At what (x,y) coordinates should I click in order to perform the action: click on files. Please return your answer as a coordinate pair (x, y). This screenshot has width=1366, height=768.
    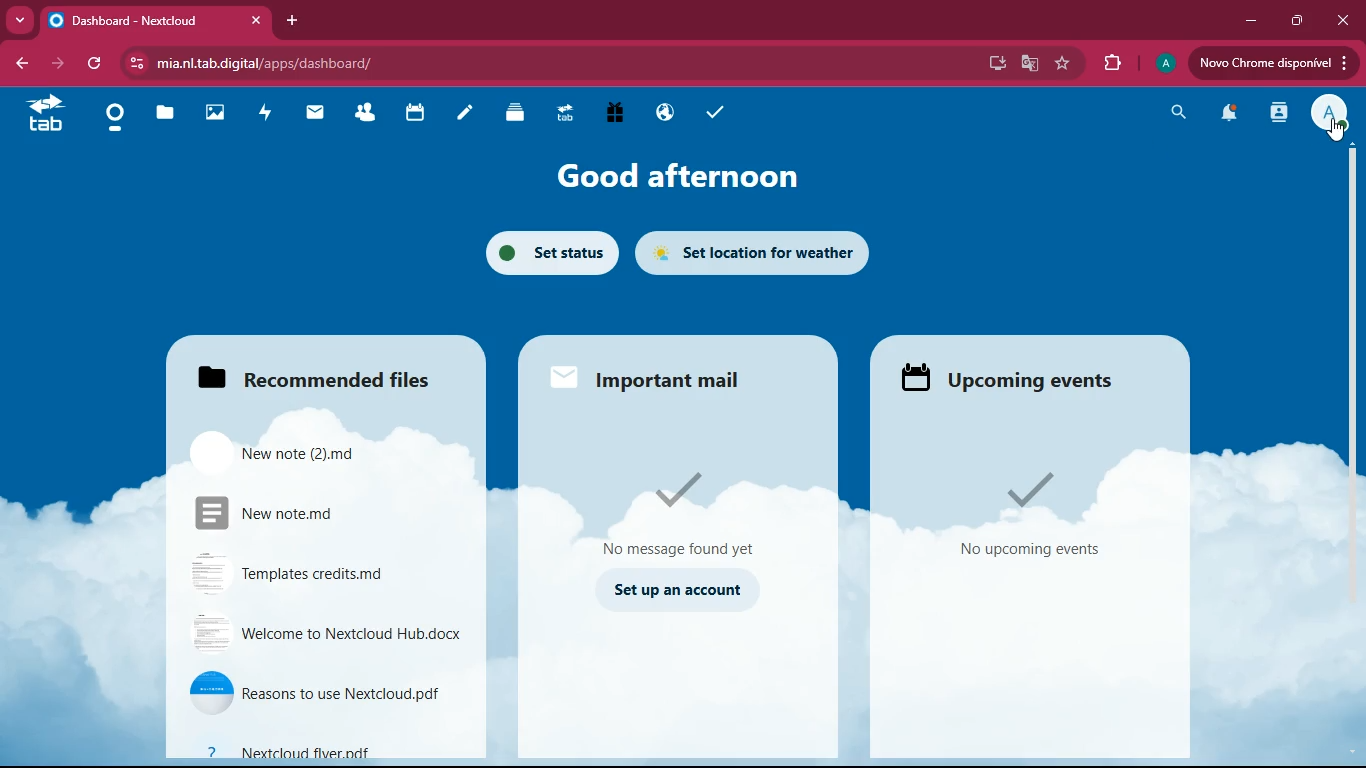
    Looking at the image, I should click on (169, 112).